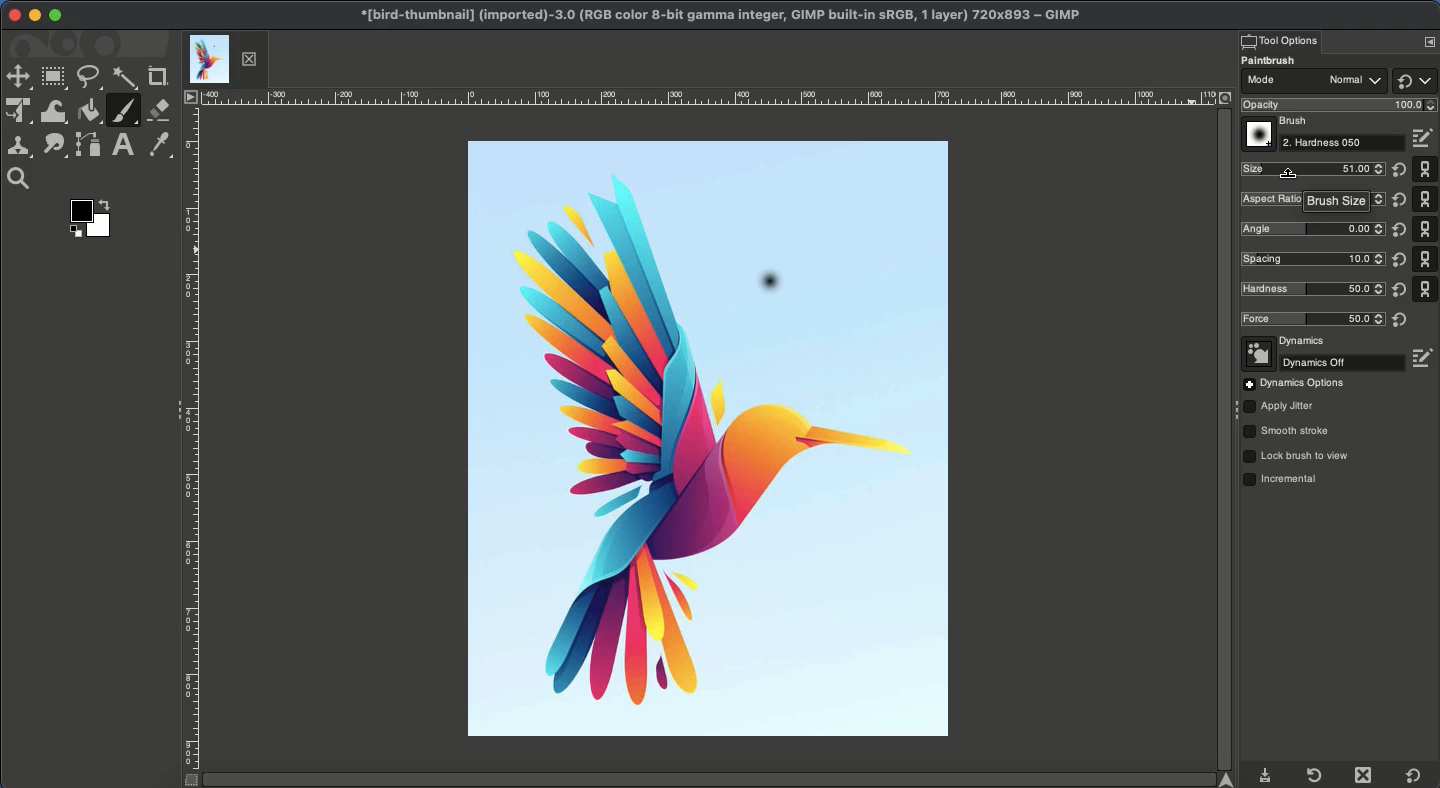 Image resolution: width=1440 pixels, height=788 pixels. Describe the element at coordinates (1222, 439) in the screenshot. I see `Scroll` at that location.